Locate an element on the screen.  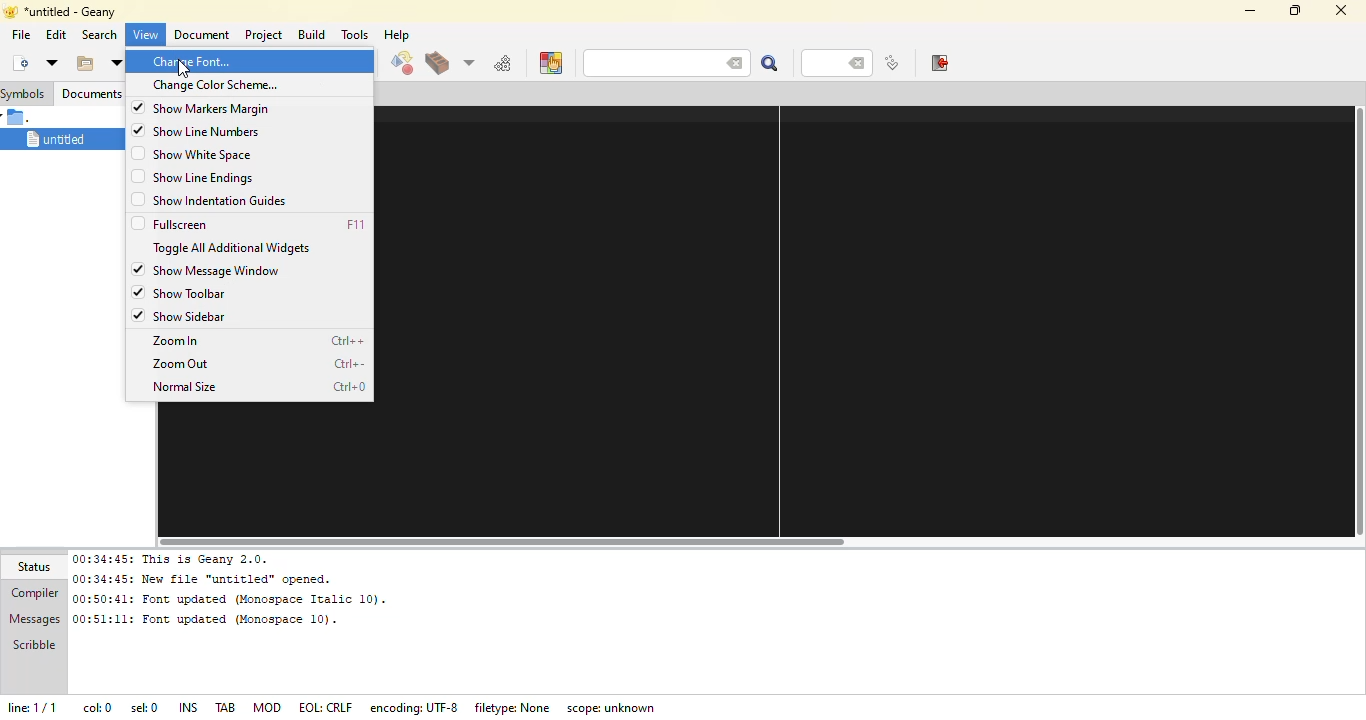
enabled is located at coordinates (141, 315).